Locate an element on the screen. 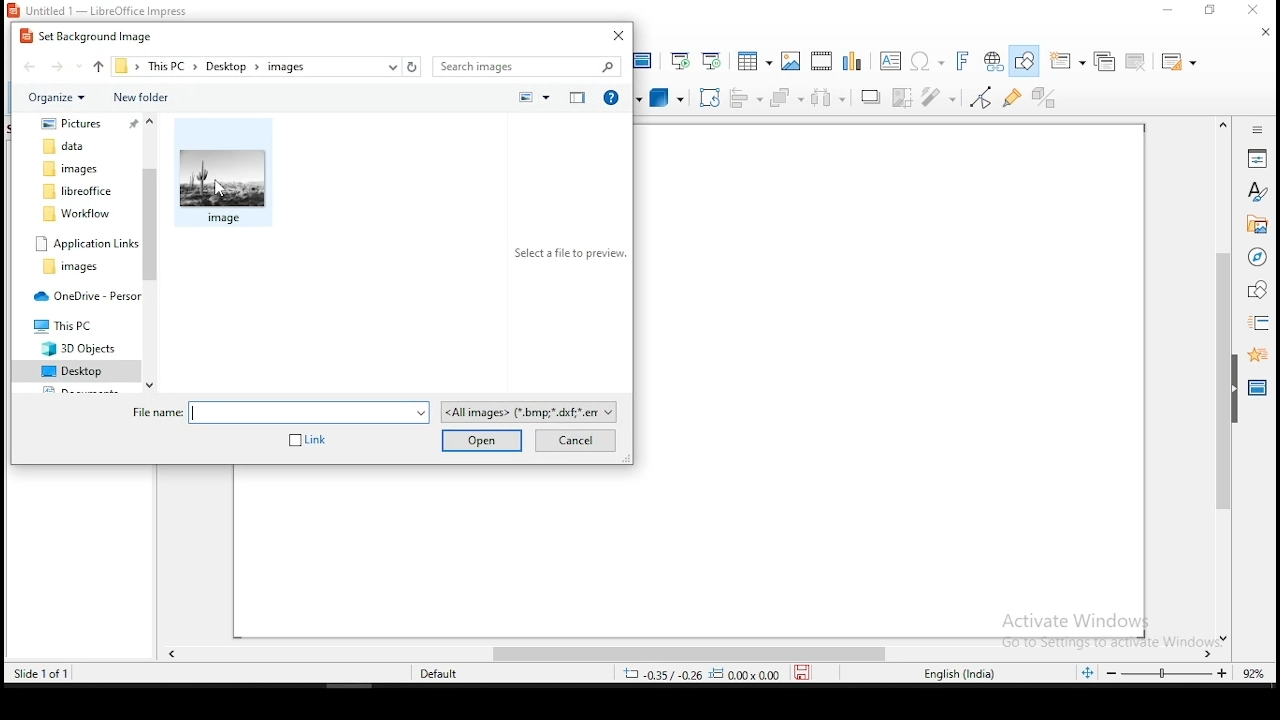  Folder is located at coordinates (78, 267).